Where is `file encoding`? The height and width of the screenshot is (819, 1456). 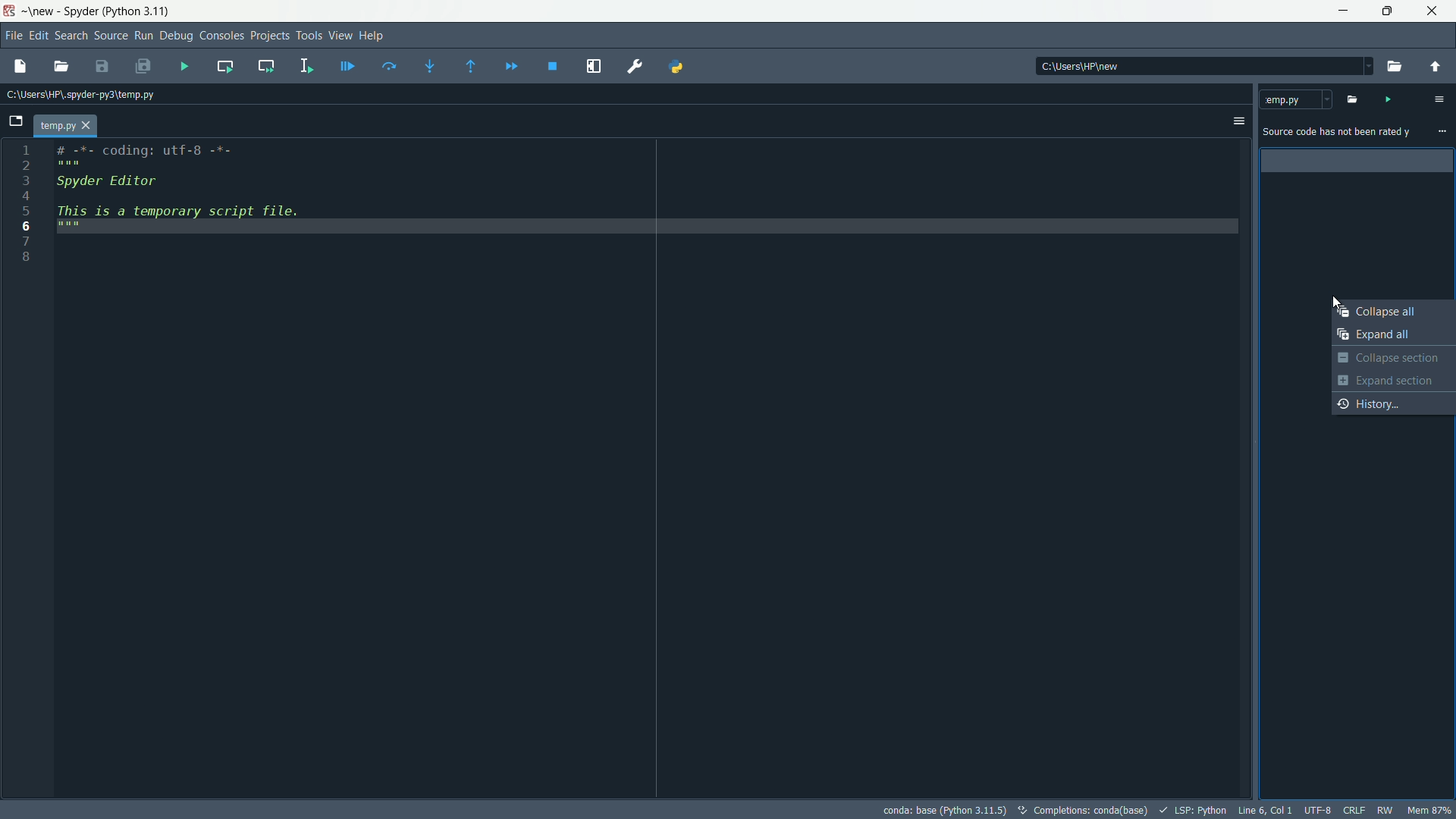
file encoding is located at coordinates (1316, 809).